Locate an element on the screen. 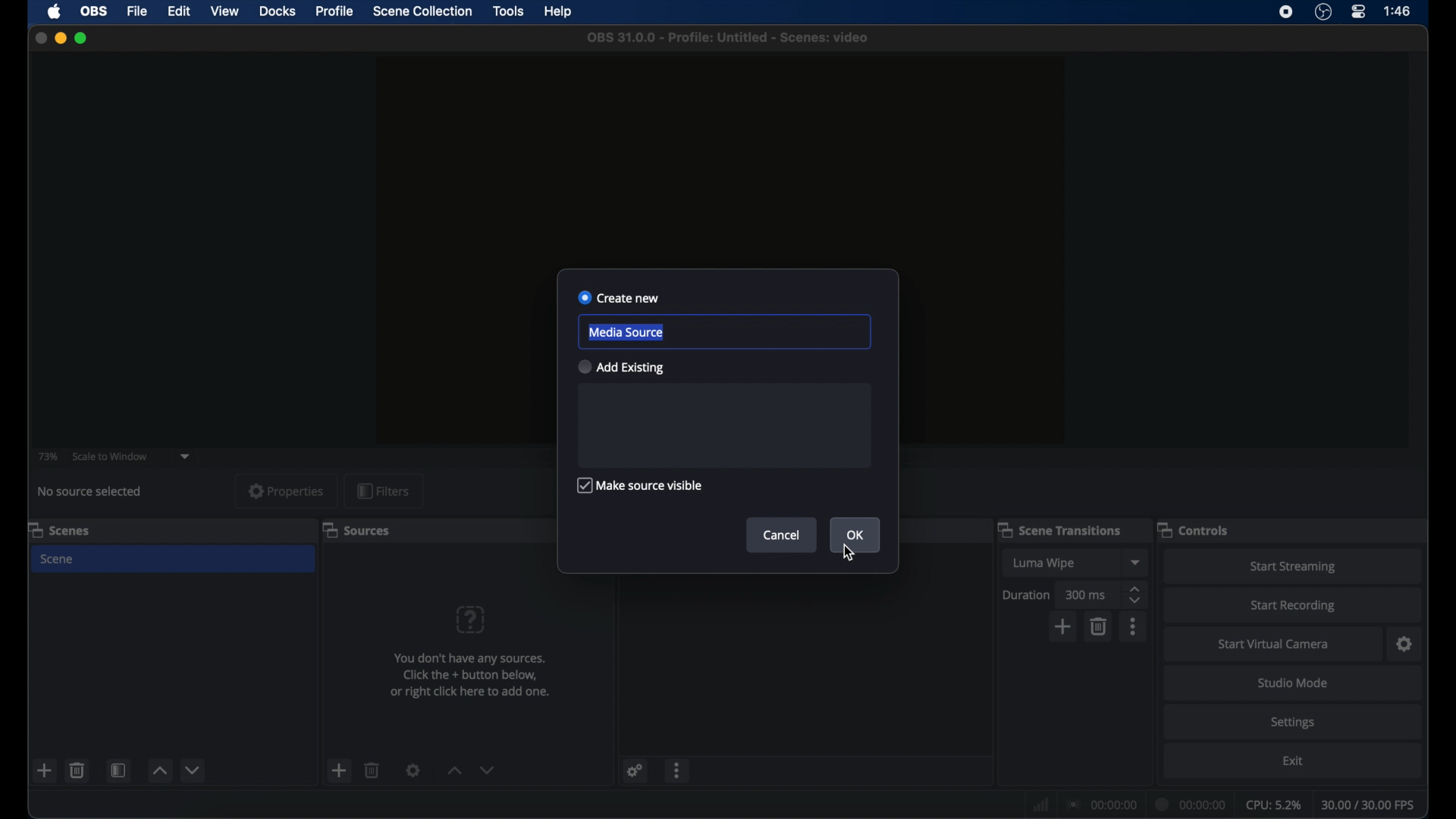 Image resolution: width=1456 pixels, height=819 pixels. decrement is located at coordinates (194, 770).